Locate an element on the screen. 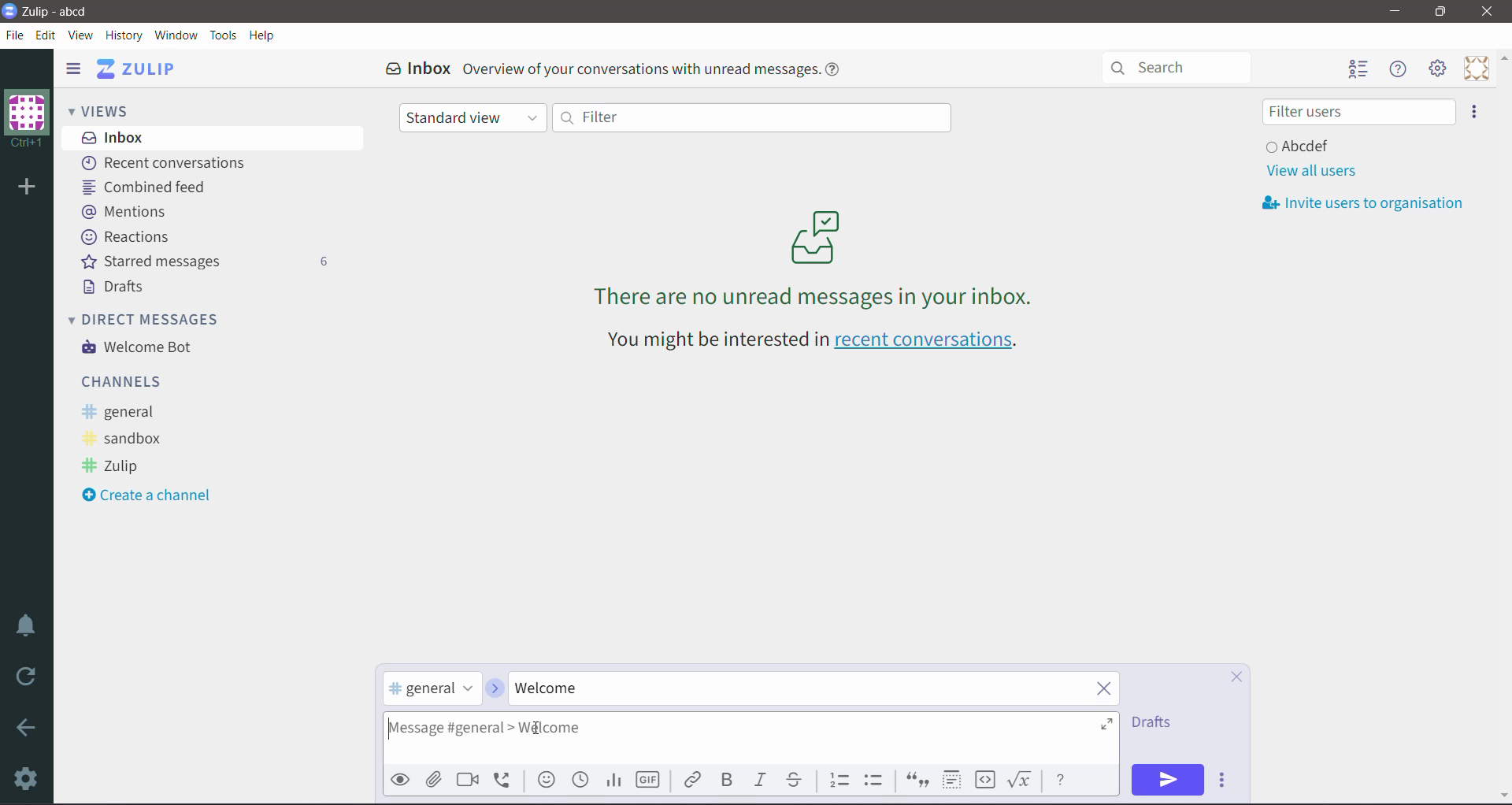  Minimize is located at coordinates (1395, 11).